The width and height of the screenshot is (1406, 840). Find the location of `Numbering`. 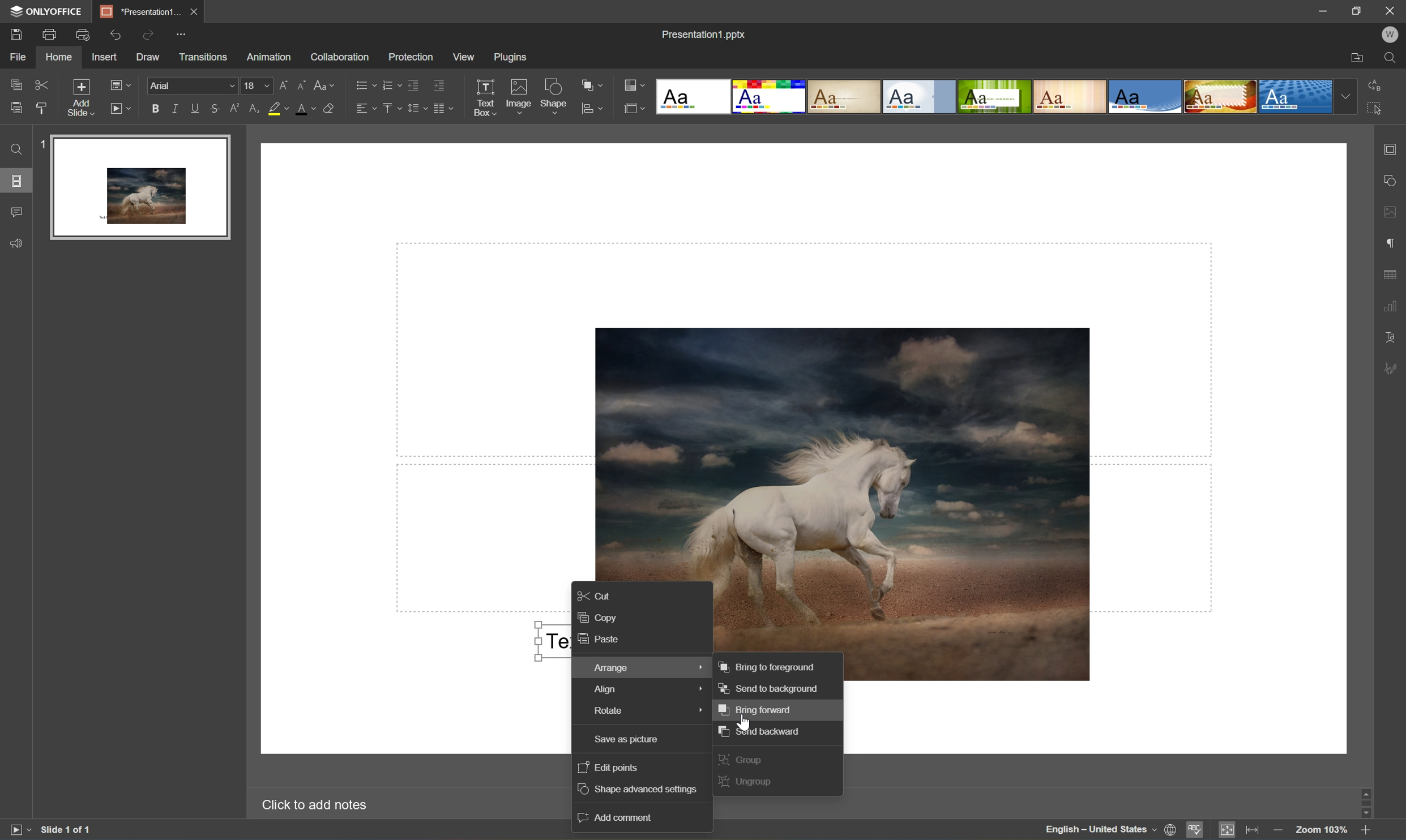

Numbering is located at coordinates (391, 83).